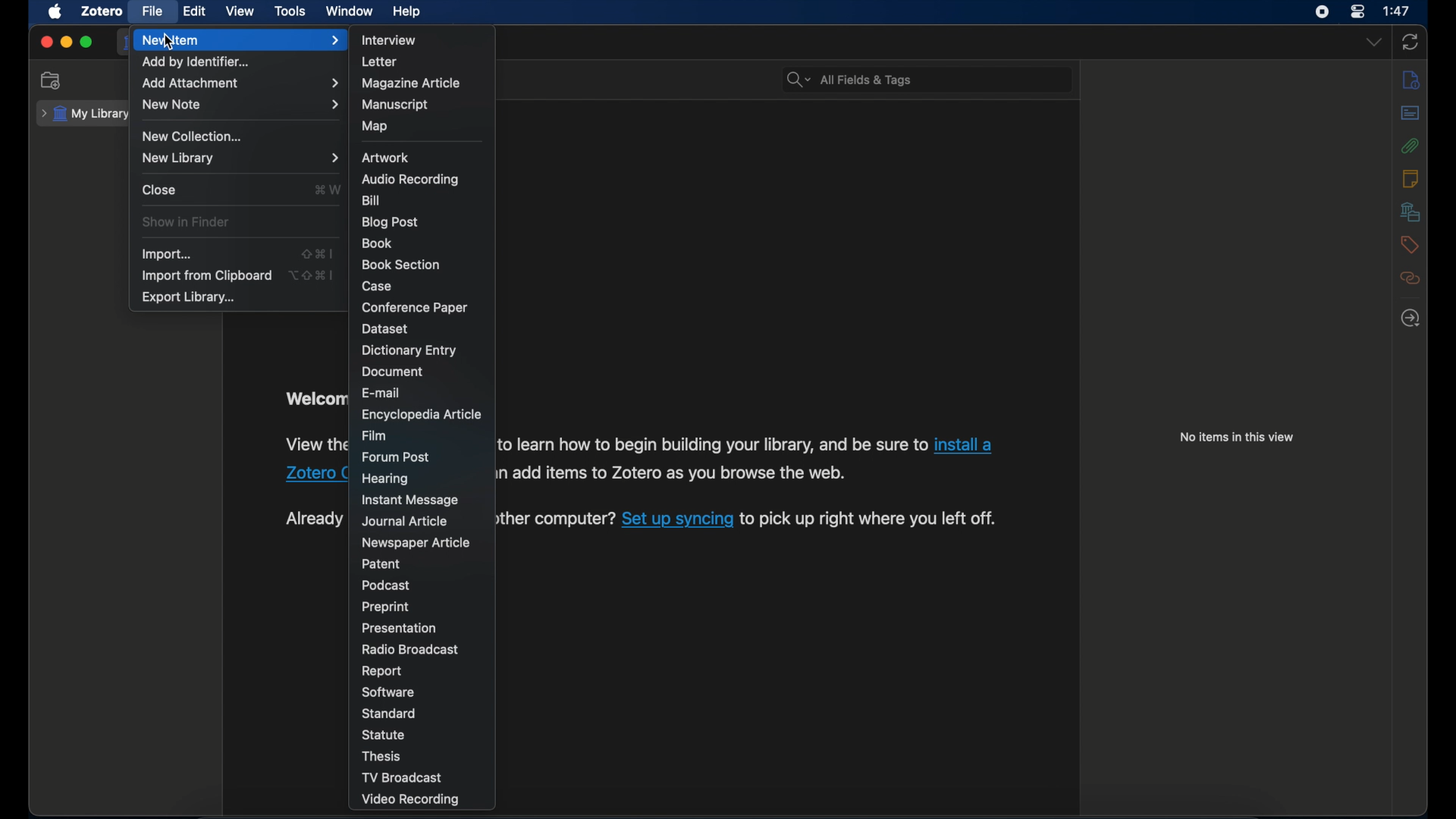  Describe the element at coordinates (388, 607) in the screenshot. I see `preprint` at that location.